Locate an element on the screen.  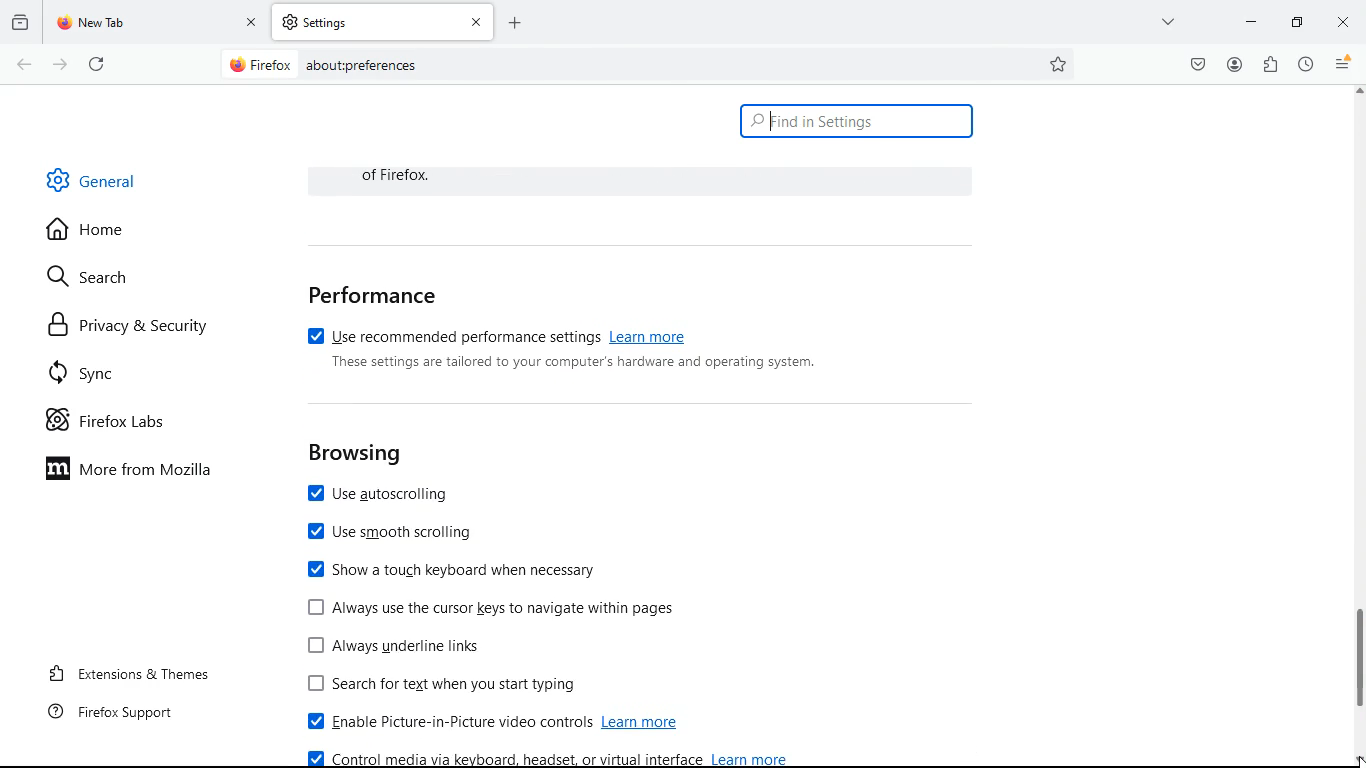
search for text when you start typing is located at coordinates (453, 685).